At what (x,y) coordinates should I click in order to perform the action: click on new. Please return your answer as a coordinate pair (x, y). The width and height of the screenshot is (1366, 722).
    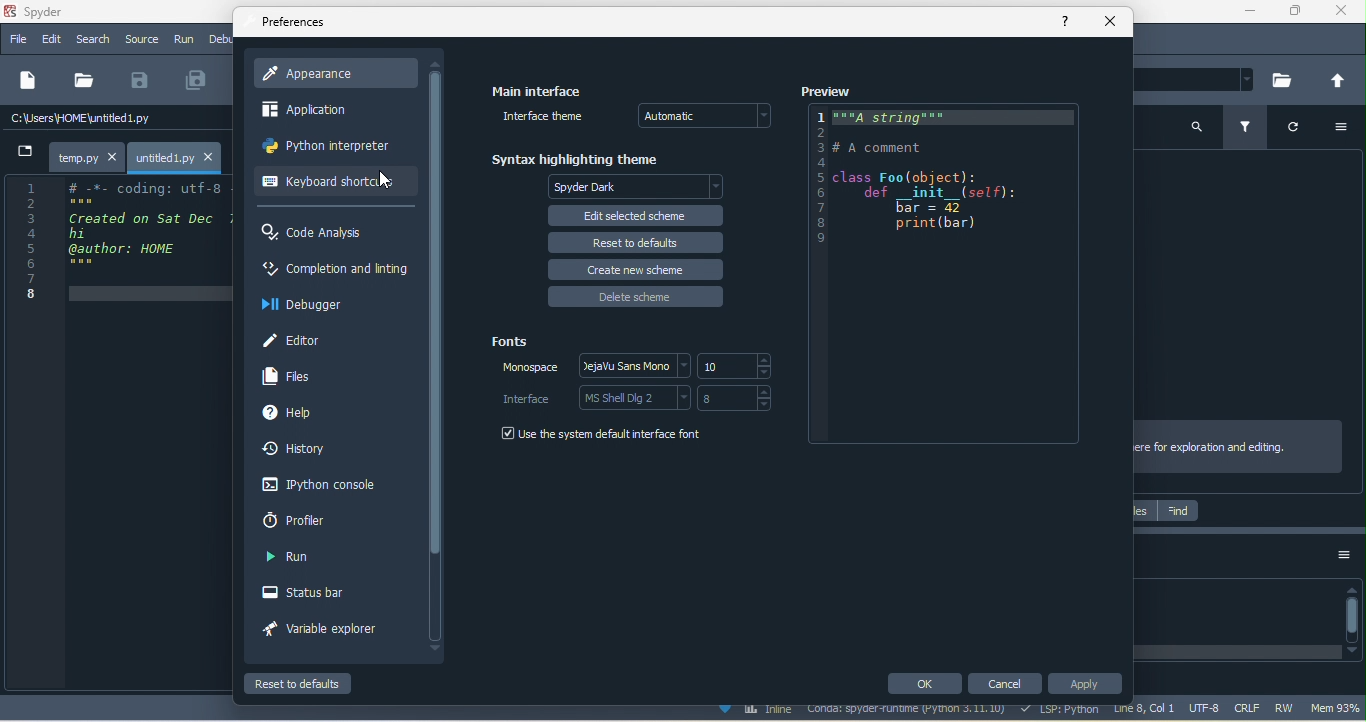
    Looking at the image, I should click on (29, 81).